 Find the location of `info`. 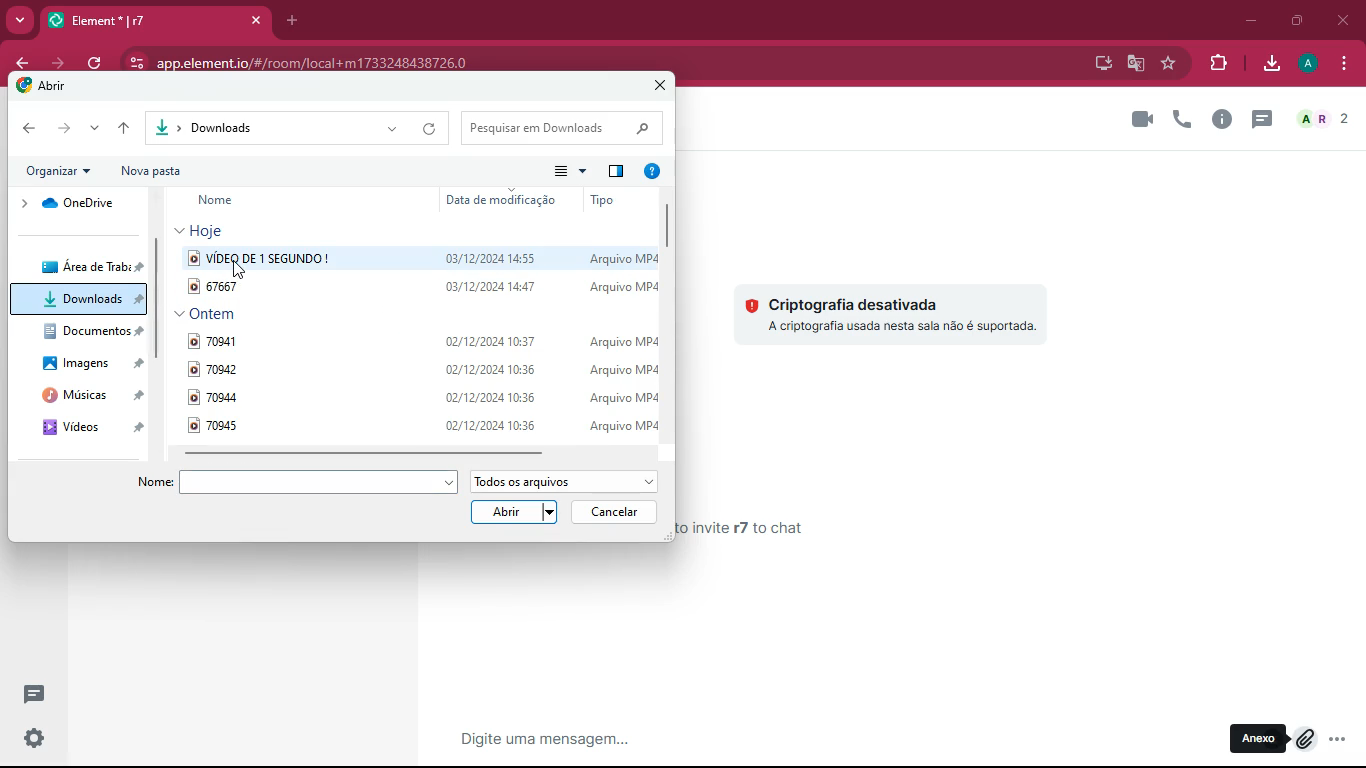

info is located at coordinates (1221, 120).